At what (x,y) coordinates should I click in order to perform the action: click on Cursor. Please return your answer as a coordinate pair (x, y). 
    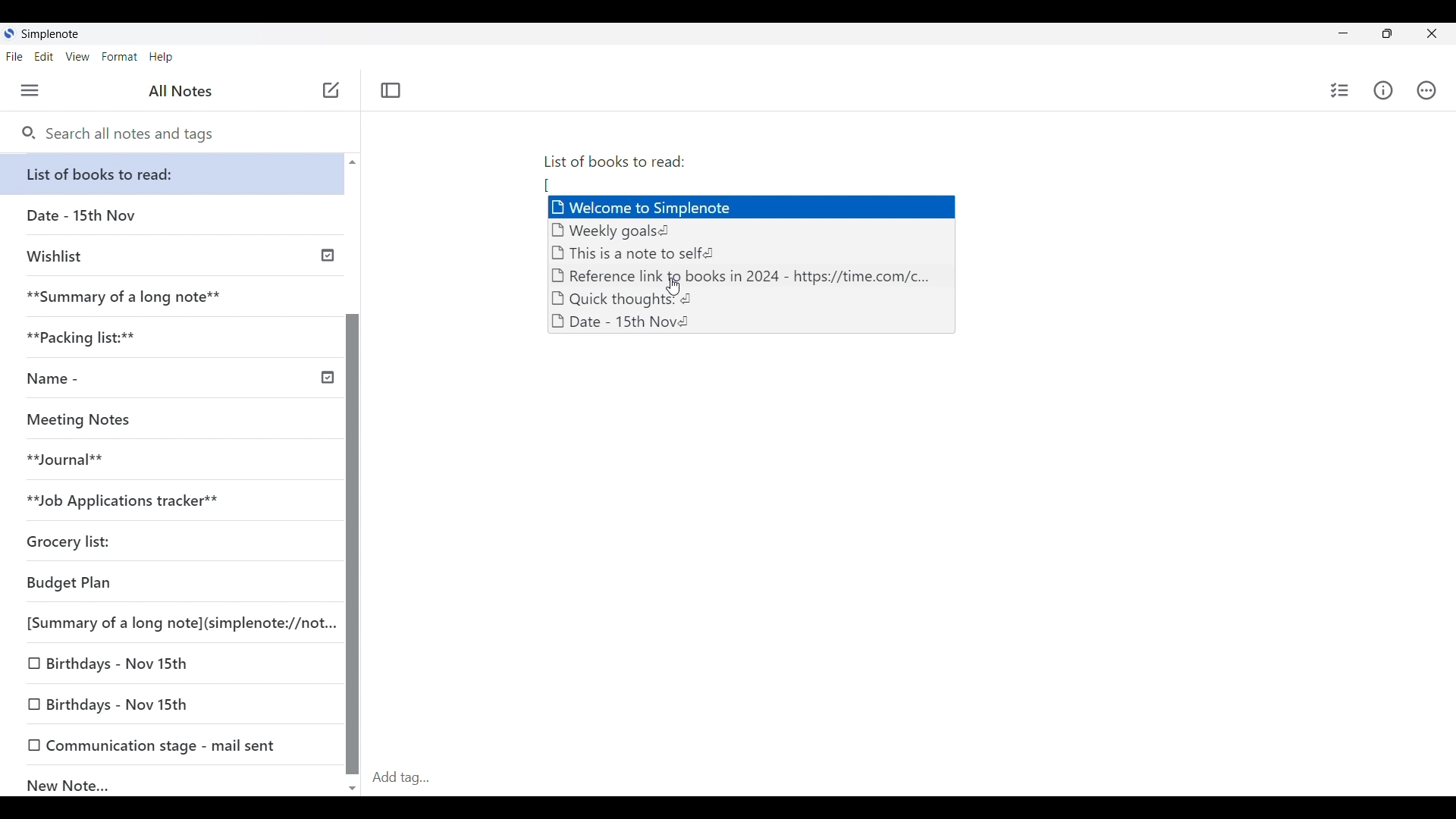
    Looking at the image, I should click on (676, 289).